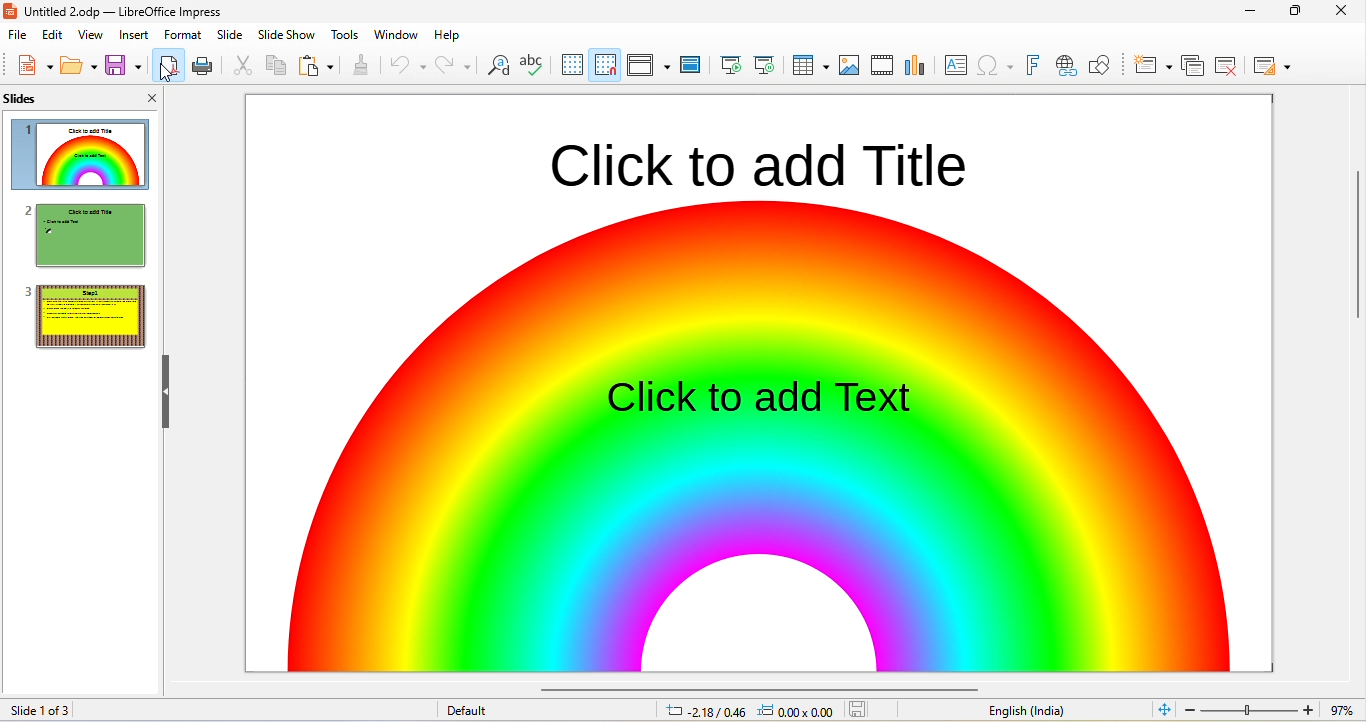  What do you see at coordinates (1271, 64) in the screenshot?
I see `slide layout` at bounding box center [1271, 64].